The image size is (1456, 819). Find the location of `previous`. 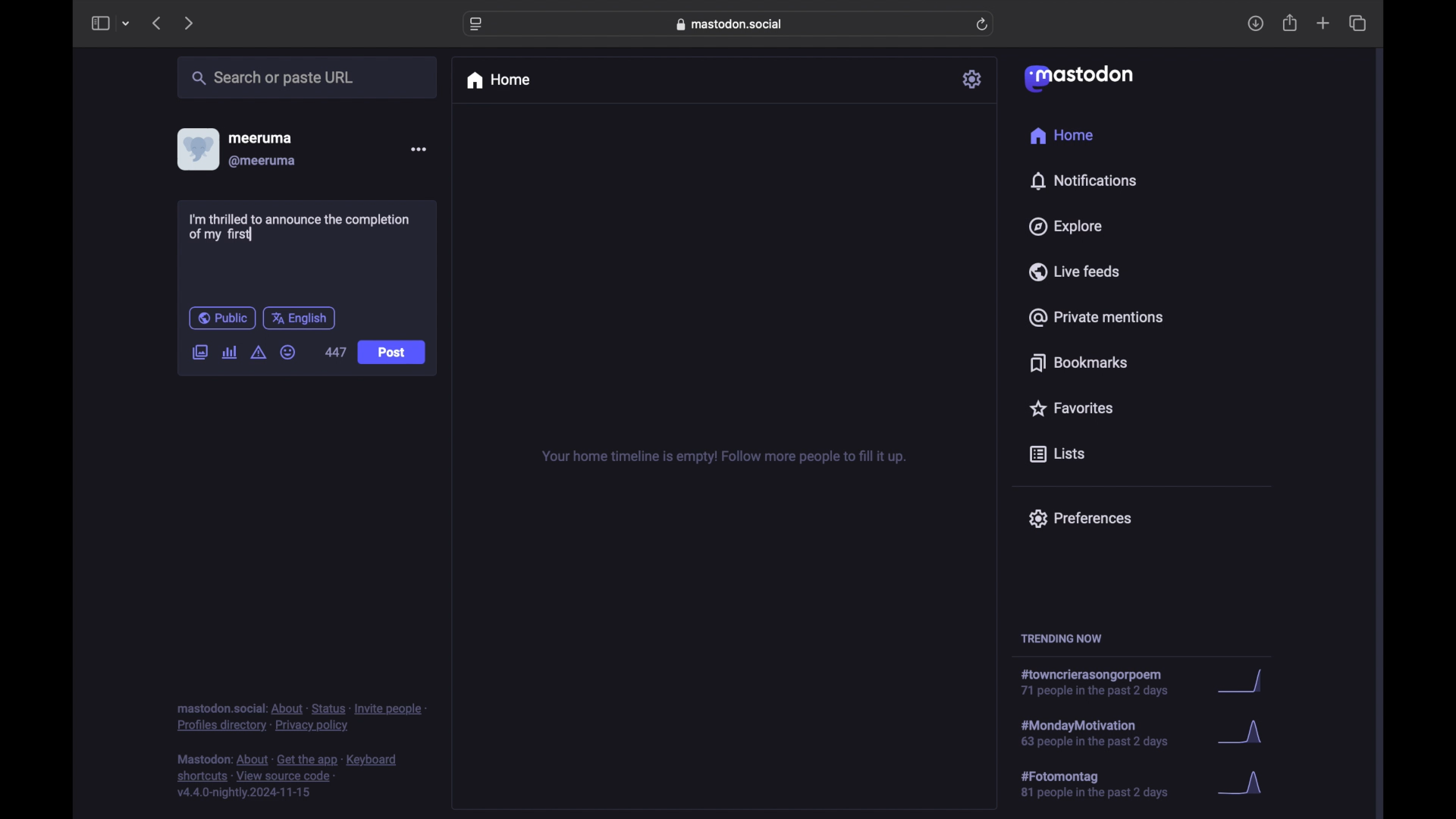

previous is located at coordinates (156, 23).